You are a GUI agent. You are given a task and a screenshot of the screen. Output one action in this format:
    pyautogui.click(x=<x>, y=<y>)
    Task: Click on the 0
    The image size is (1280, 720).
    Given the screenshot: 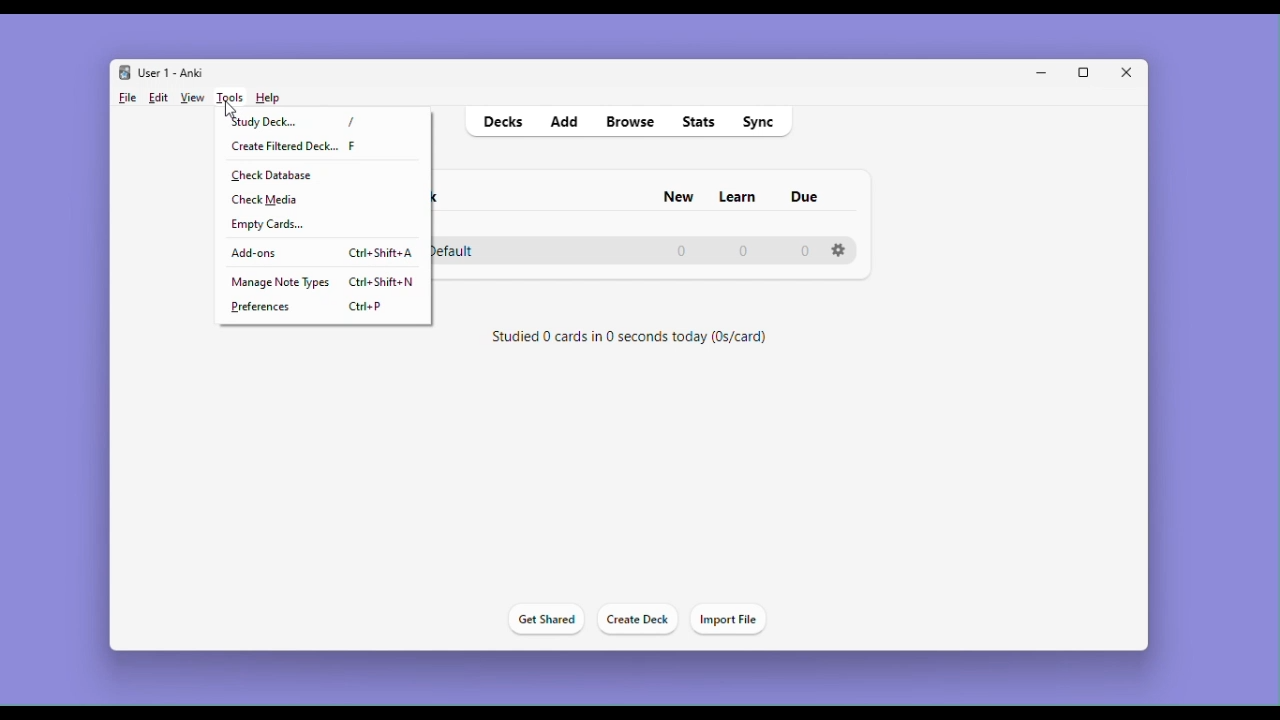 What is the action you would take?
    pyautogui.click(x=687, y=253)
    